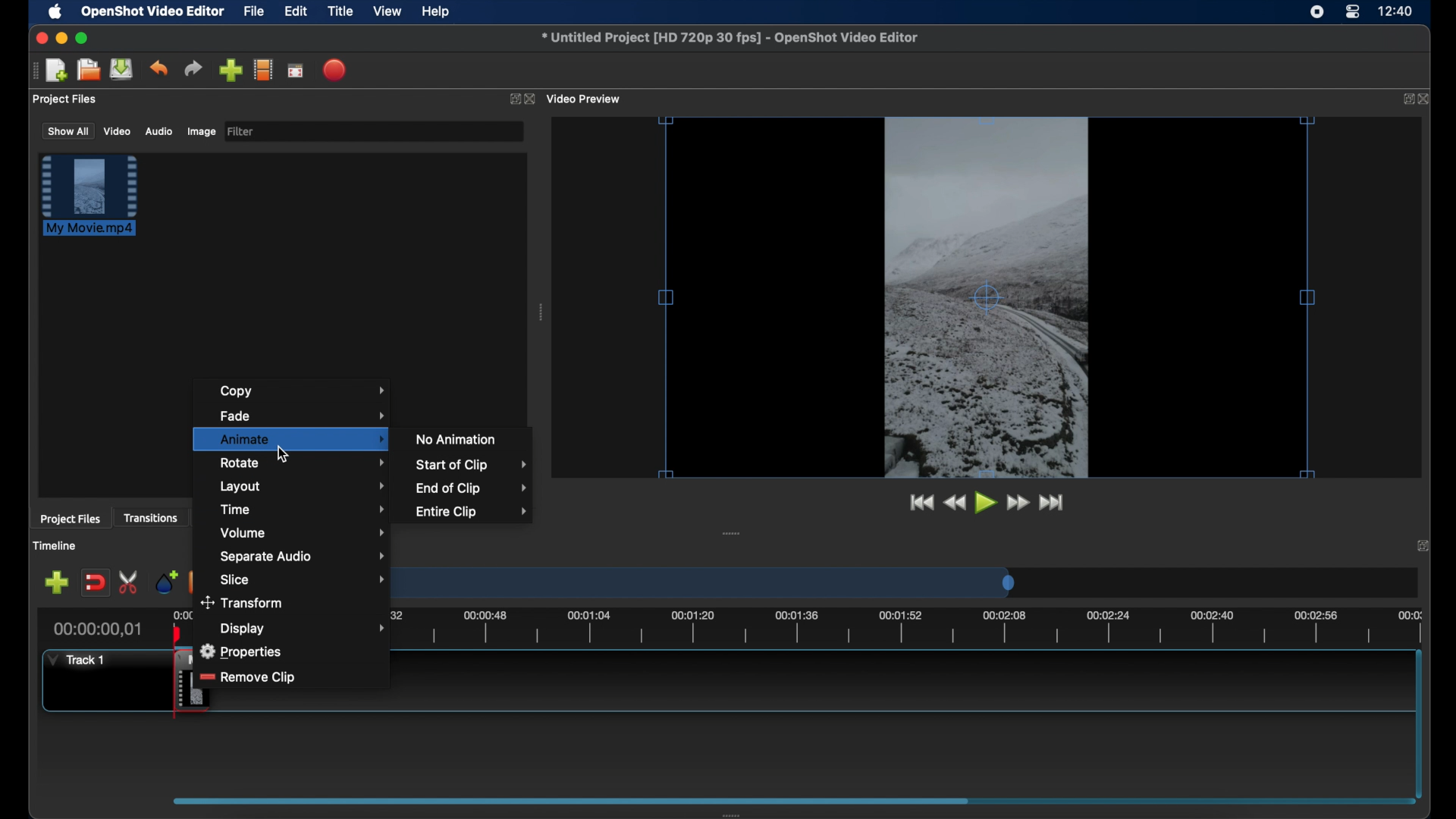 This screenshot has width=1456, height=819. What do you see at coordinates (243, 651) in the screenshot?
I see `properties` at bounding box center [243, 651].